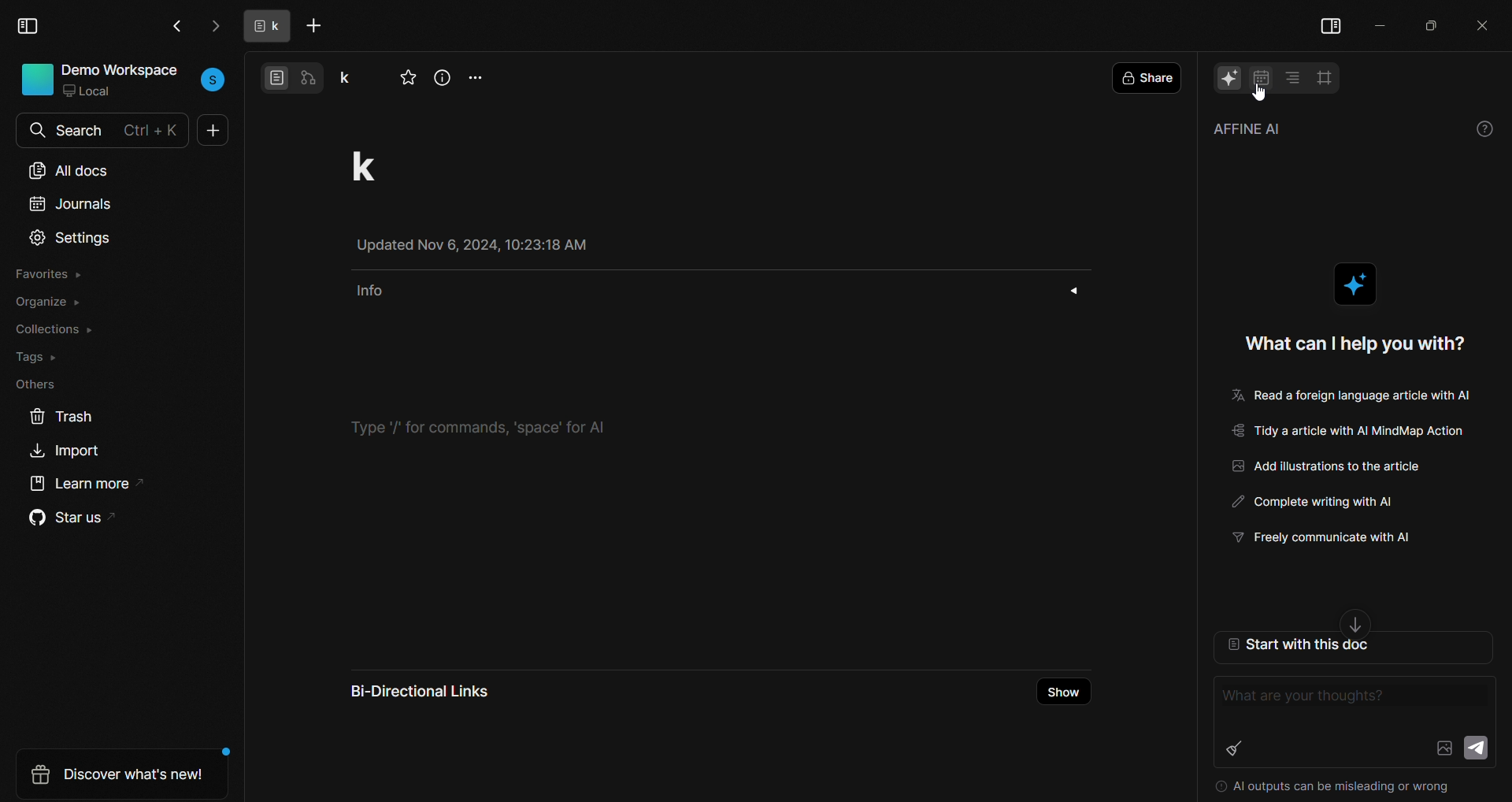 This screenshot has height=802, width=1512. I want to click on affine AI, so click(1255, 129).